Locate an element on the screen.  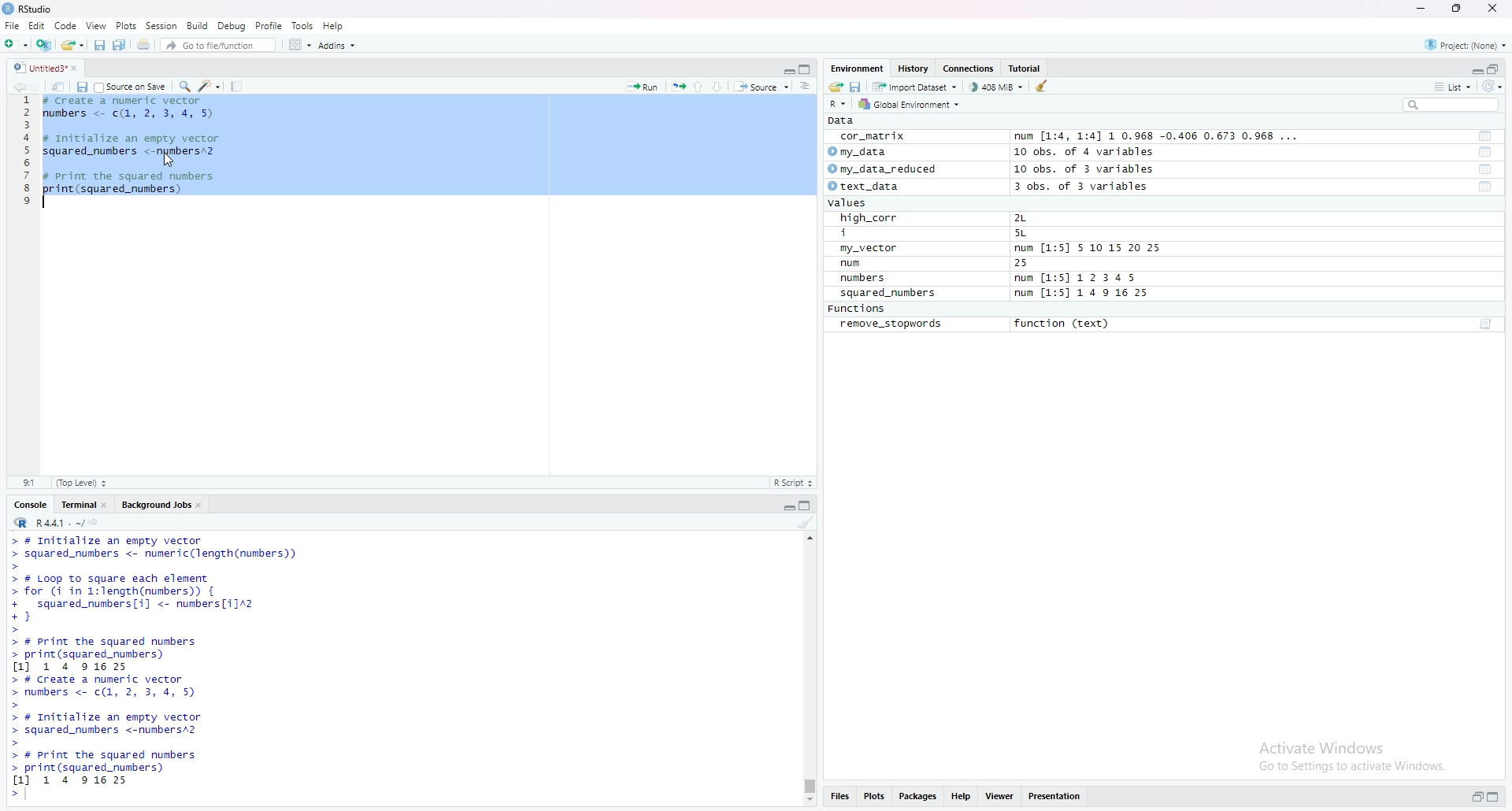
Document outline is located at coordinates (806, 86).